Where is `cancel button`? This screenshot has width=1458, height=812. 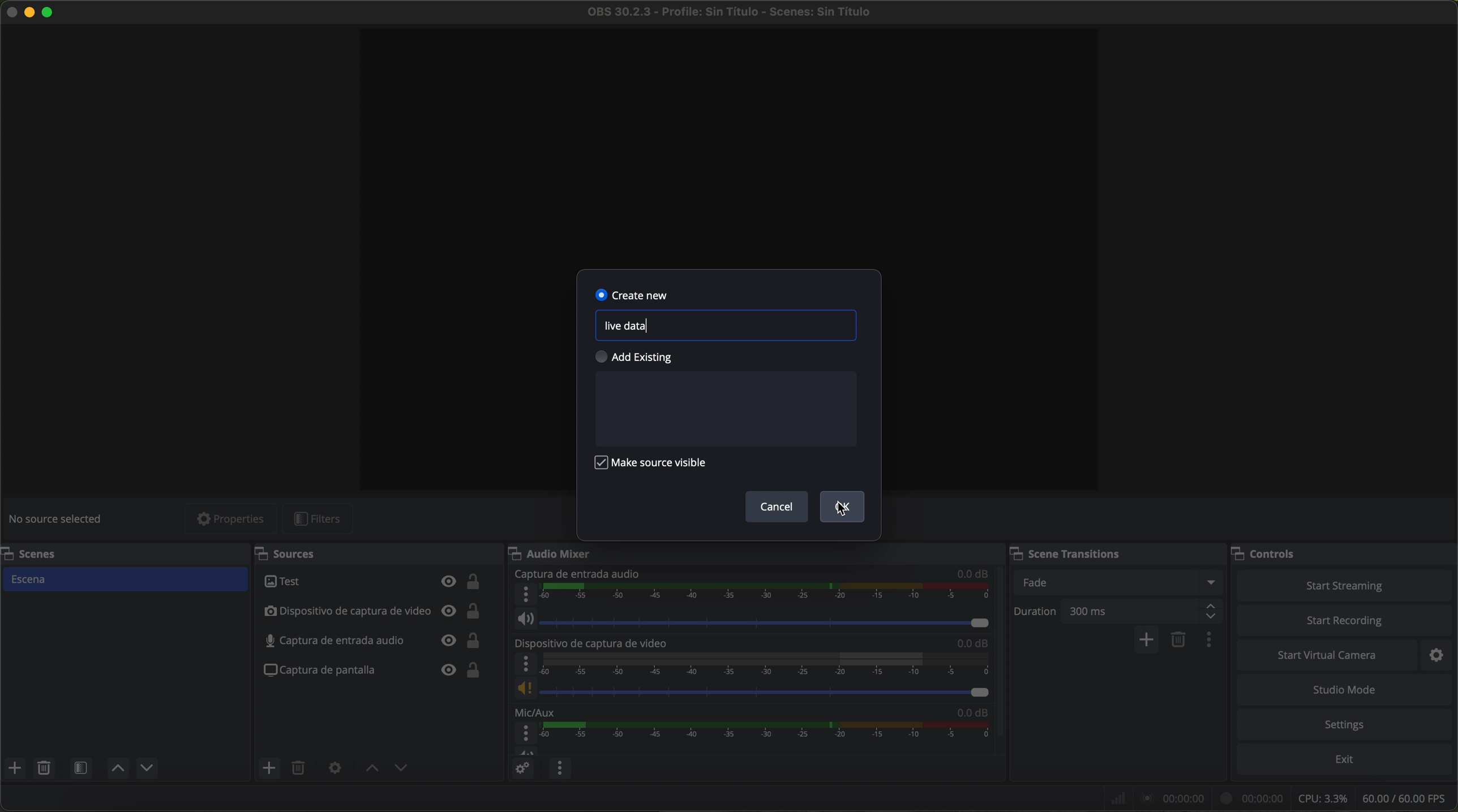
cancel button is located at coordinates (777, 508).